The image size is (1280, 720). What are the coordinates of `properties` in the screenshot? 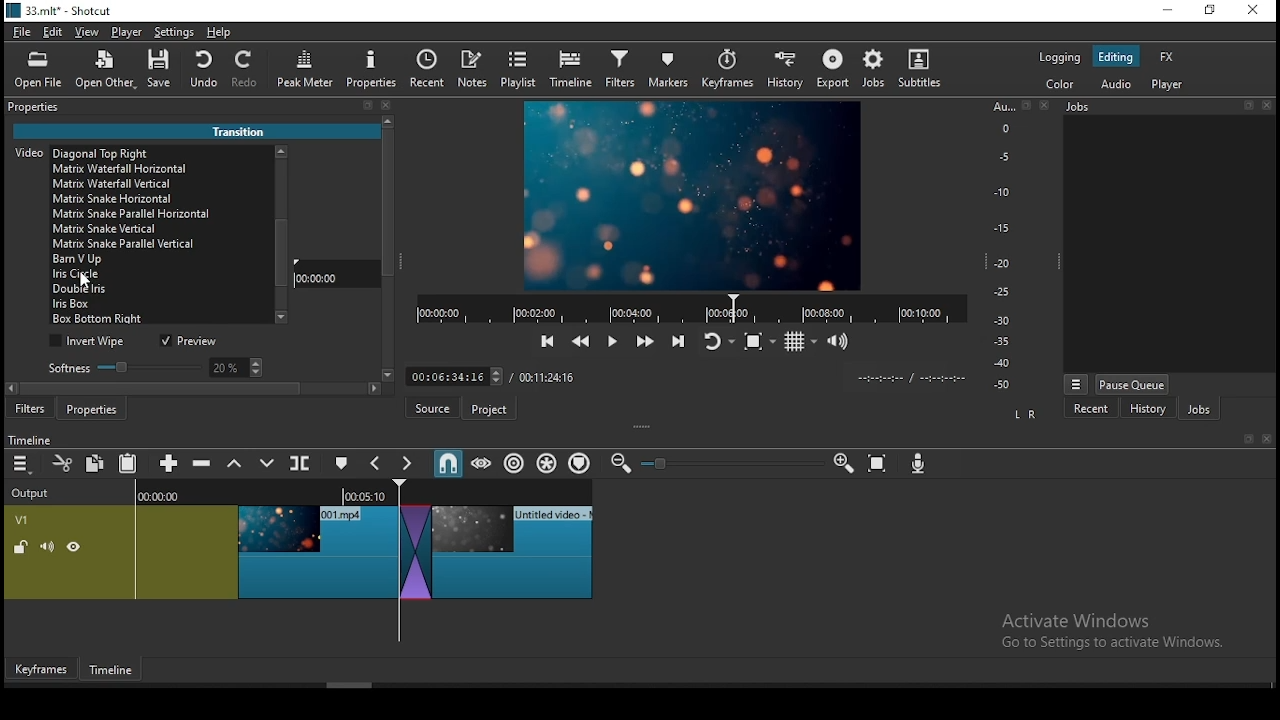 It's located at (371, 69).